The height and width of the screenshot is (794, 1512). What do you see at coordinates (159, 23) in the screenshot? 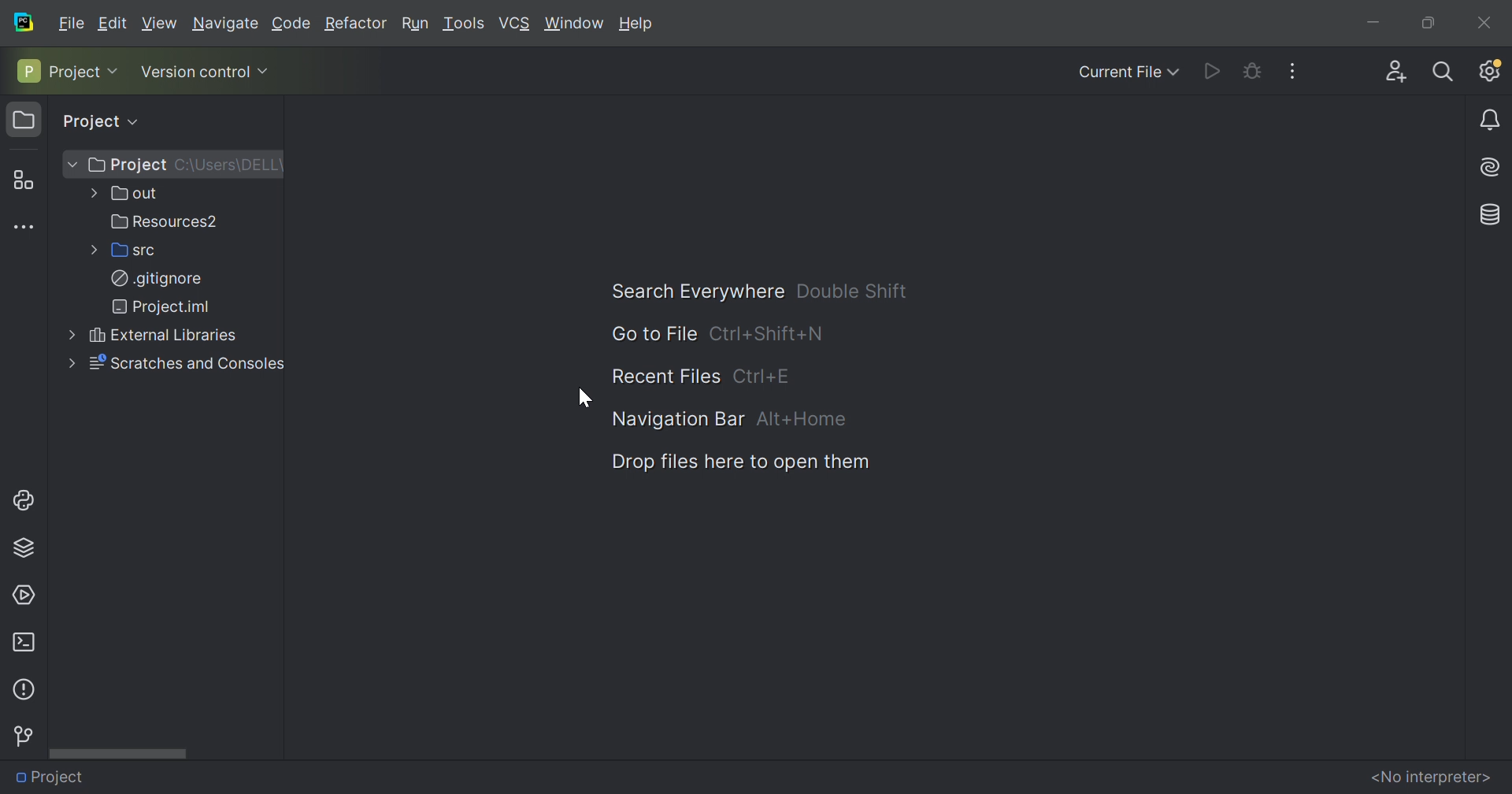
I see `View` at bounding box center [159, 23].